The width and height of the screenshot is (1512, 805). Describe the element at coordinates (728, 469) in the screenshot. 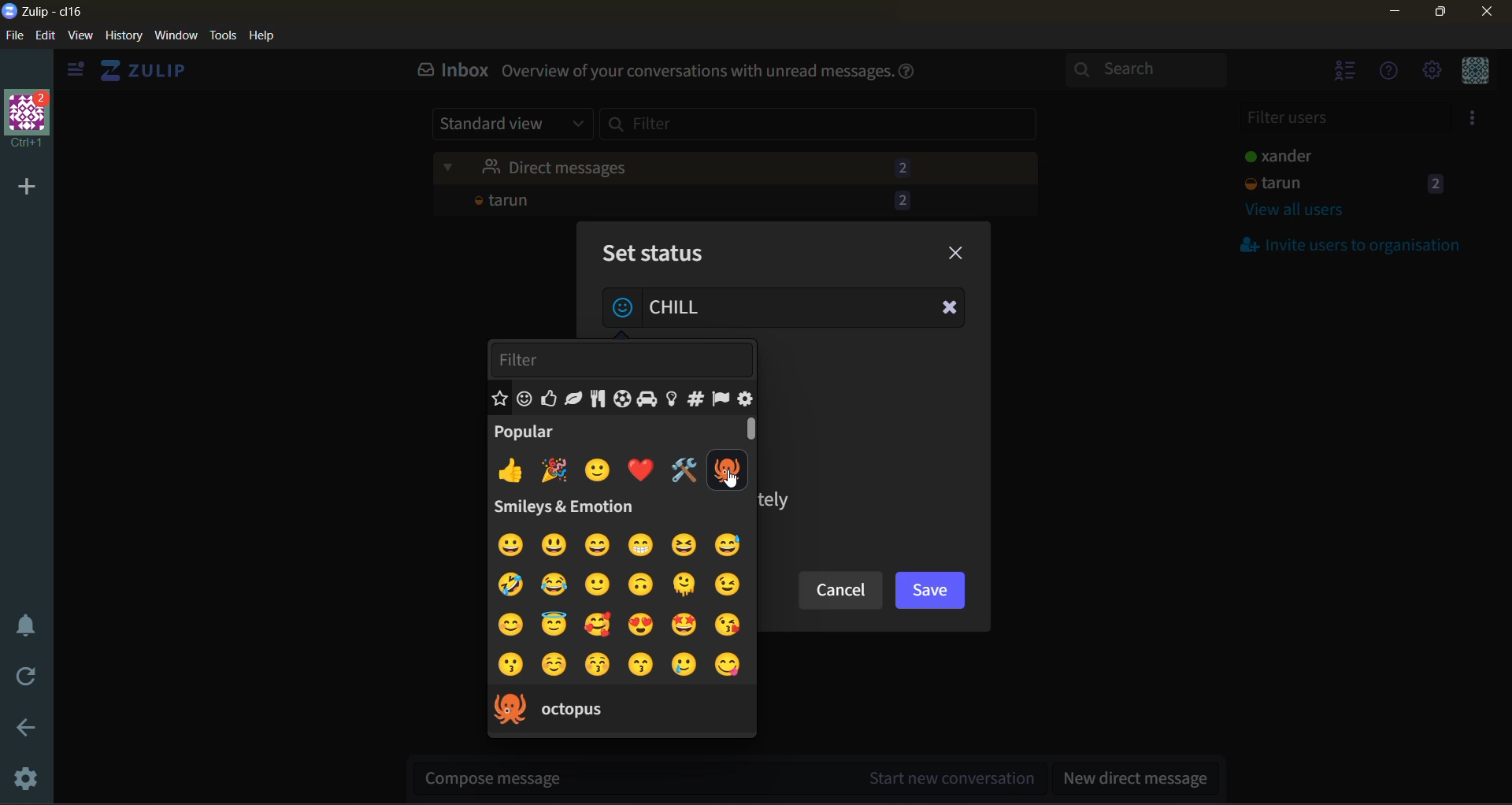

I see `emoji` at that location.